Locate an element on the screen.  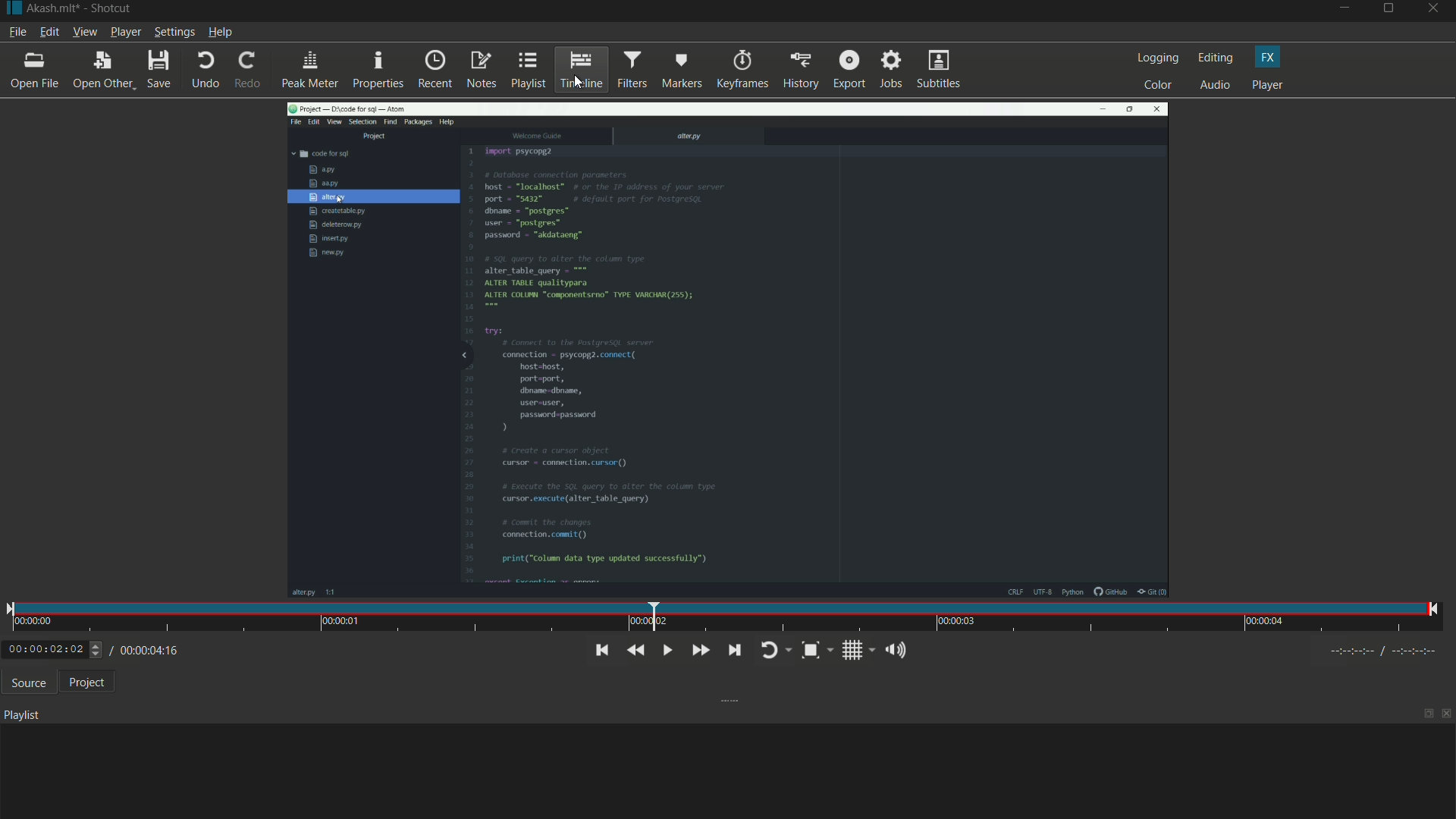
timecodes is located at coordinates (1391, 651).